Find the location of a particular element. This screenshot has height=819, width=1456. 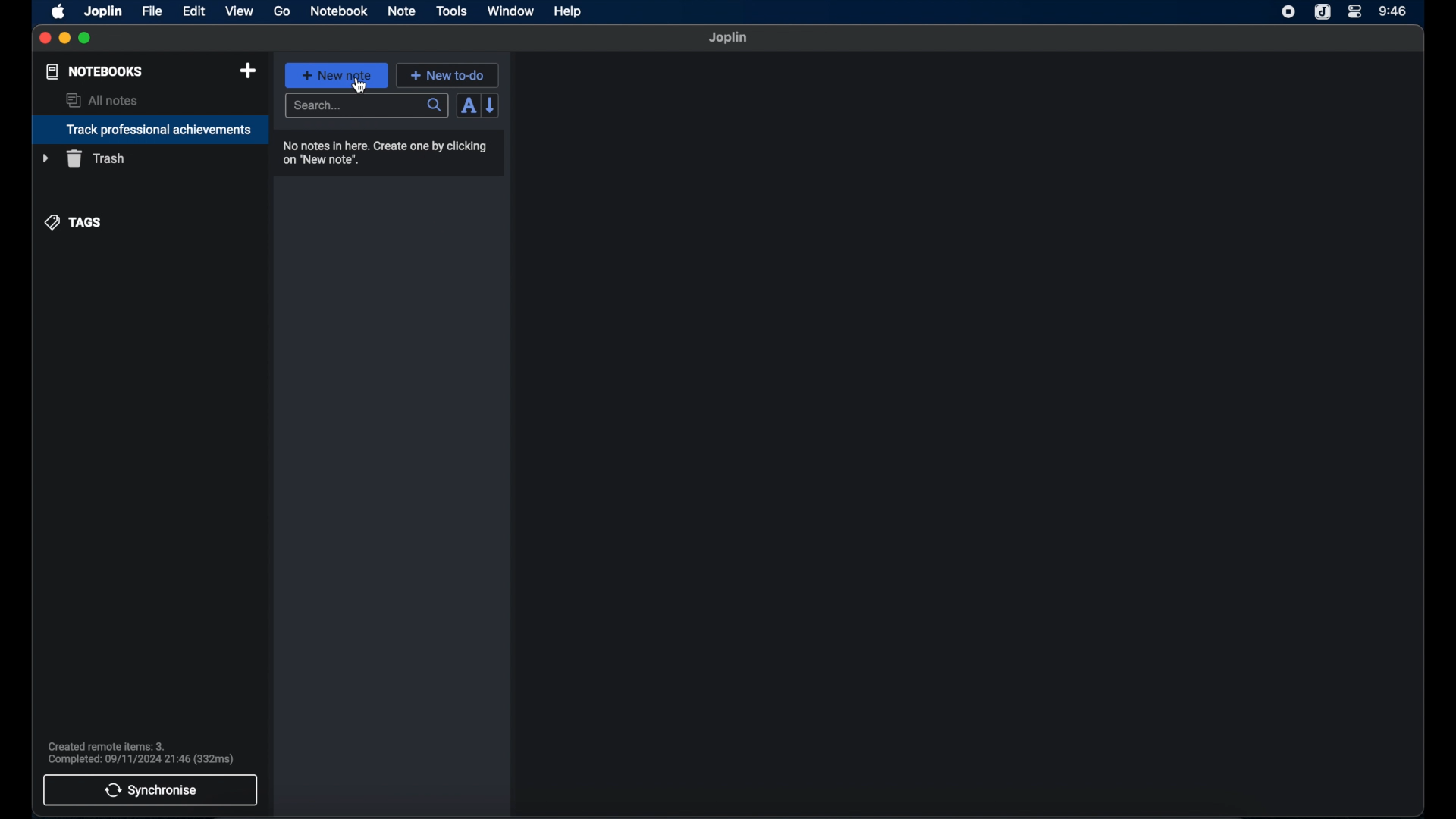

minimize is located at coordinates (65, 39).